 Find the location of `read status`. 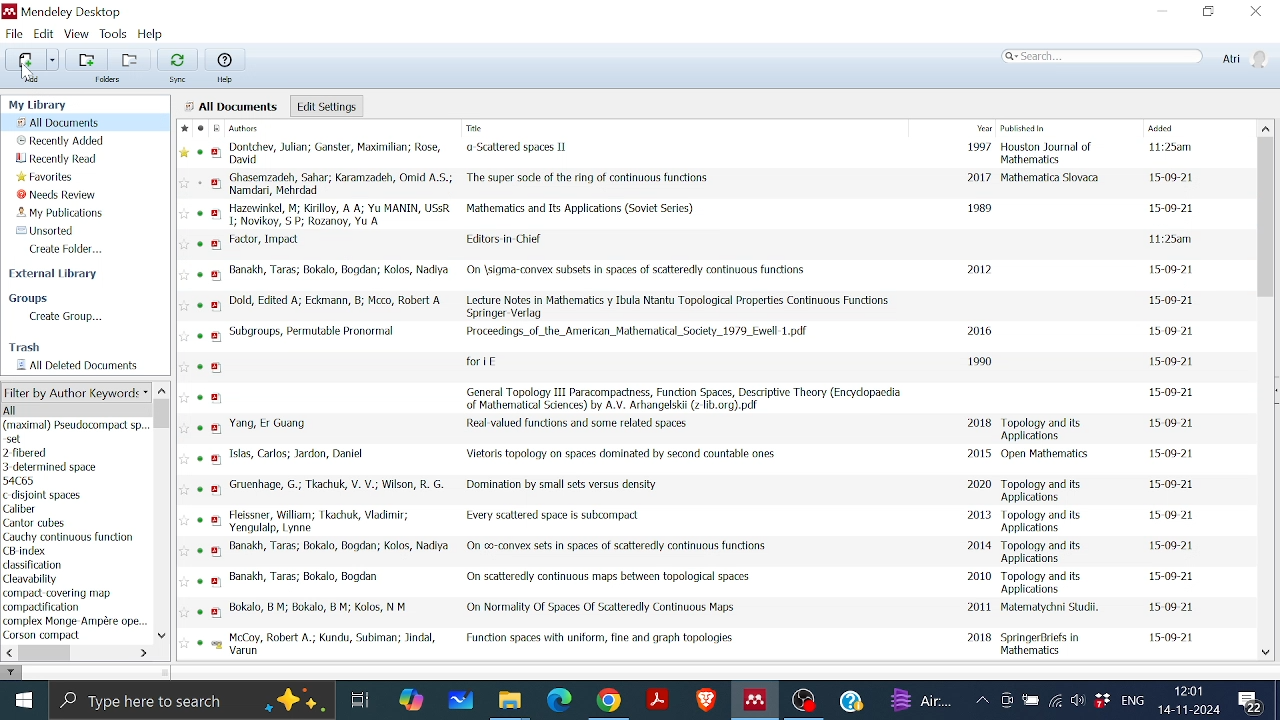

read status is located at coordinates (200, 275).